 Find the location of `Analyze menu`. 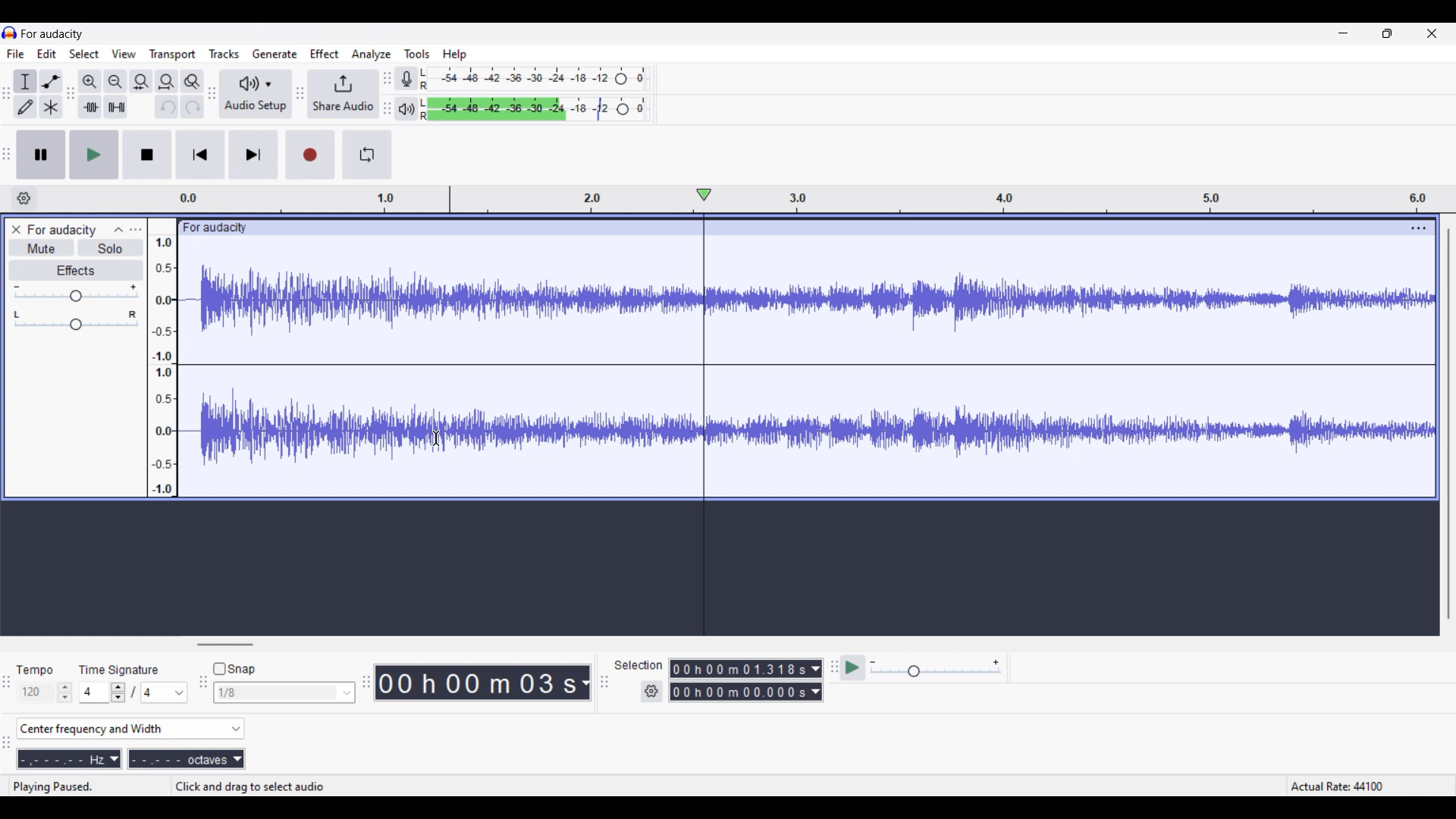

Analyze menu is located at coordinates (370, 55).